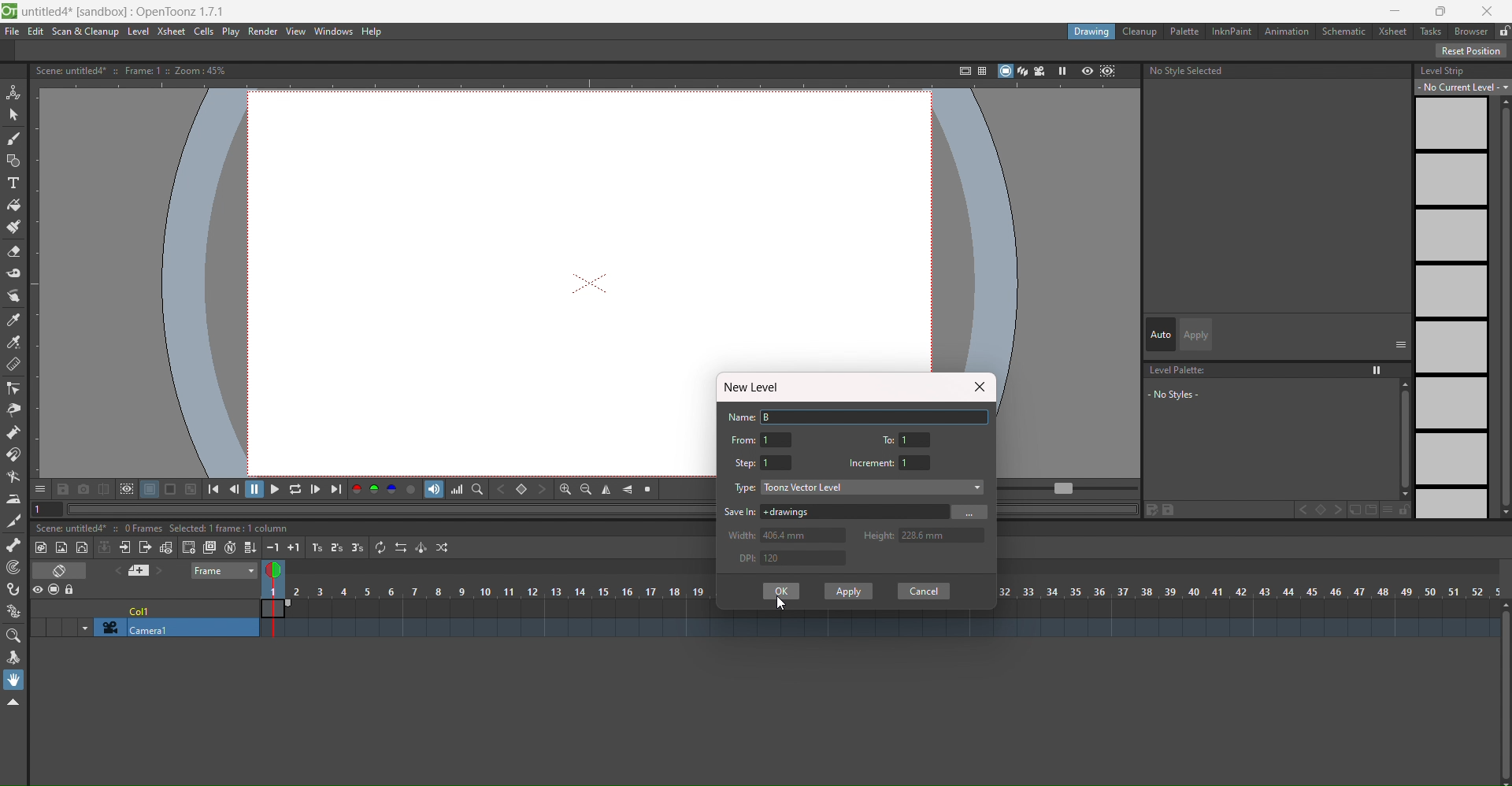 This screenshot has width=1512, height=786. I want to click on next frame, so click(316, 489).